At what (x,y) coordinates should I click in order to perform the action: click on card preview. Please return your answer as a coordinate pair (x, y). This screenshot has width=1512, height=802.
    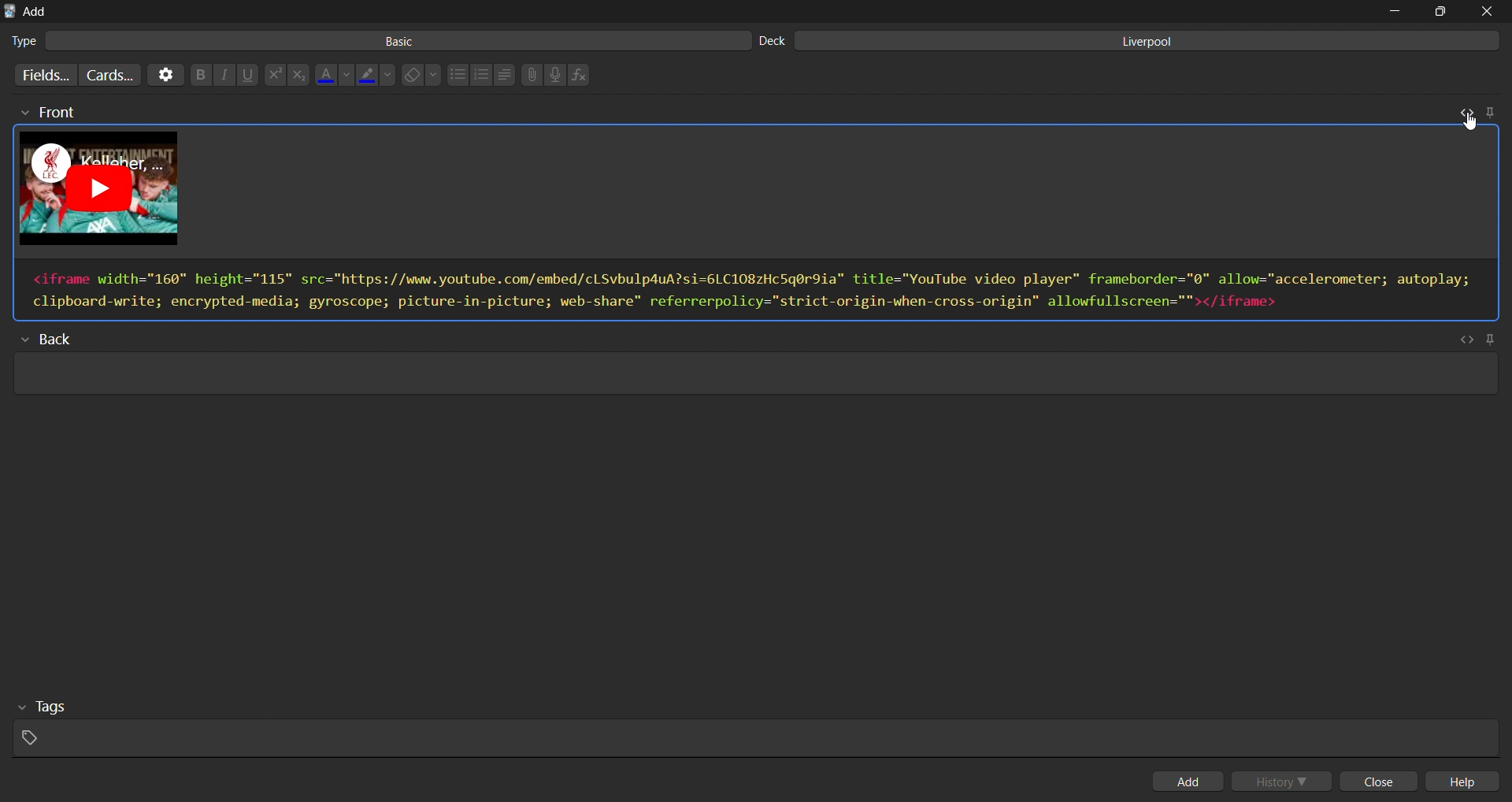
    Looking at the image, I should click on (760, 195).